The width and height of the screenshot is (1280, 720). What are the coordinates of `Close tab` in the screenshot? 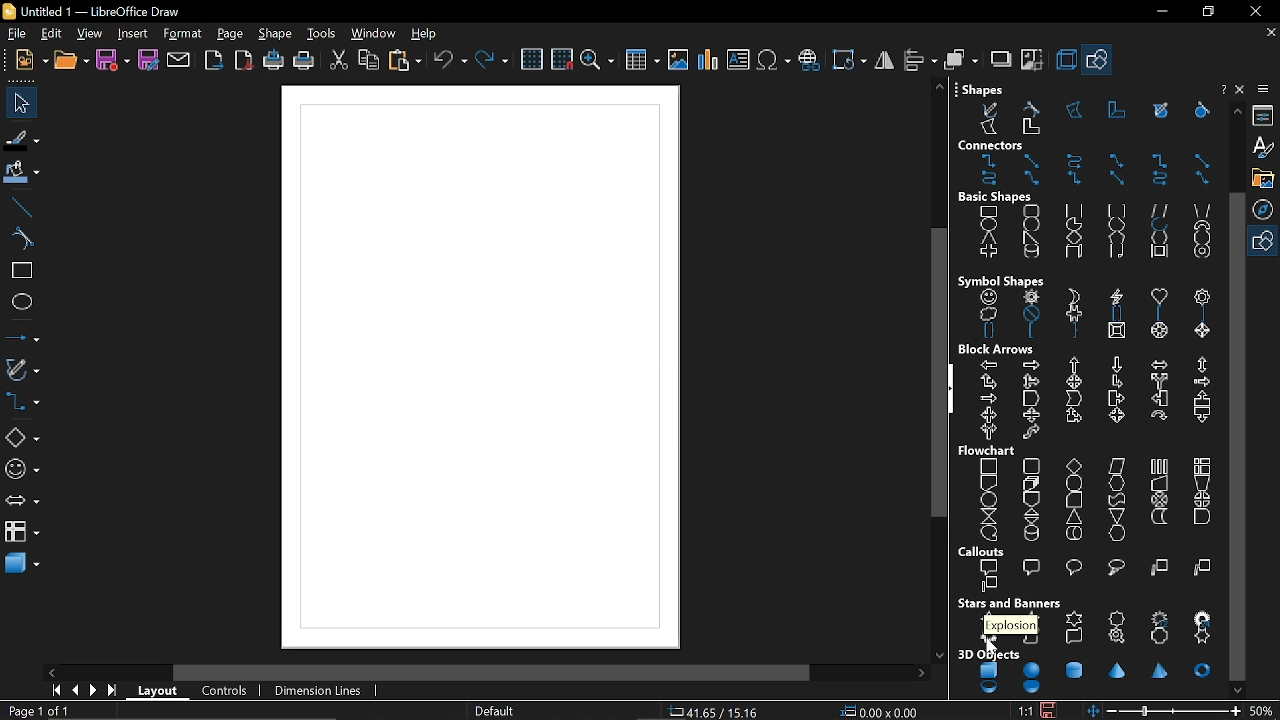 It's located at (1269, 31).